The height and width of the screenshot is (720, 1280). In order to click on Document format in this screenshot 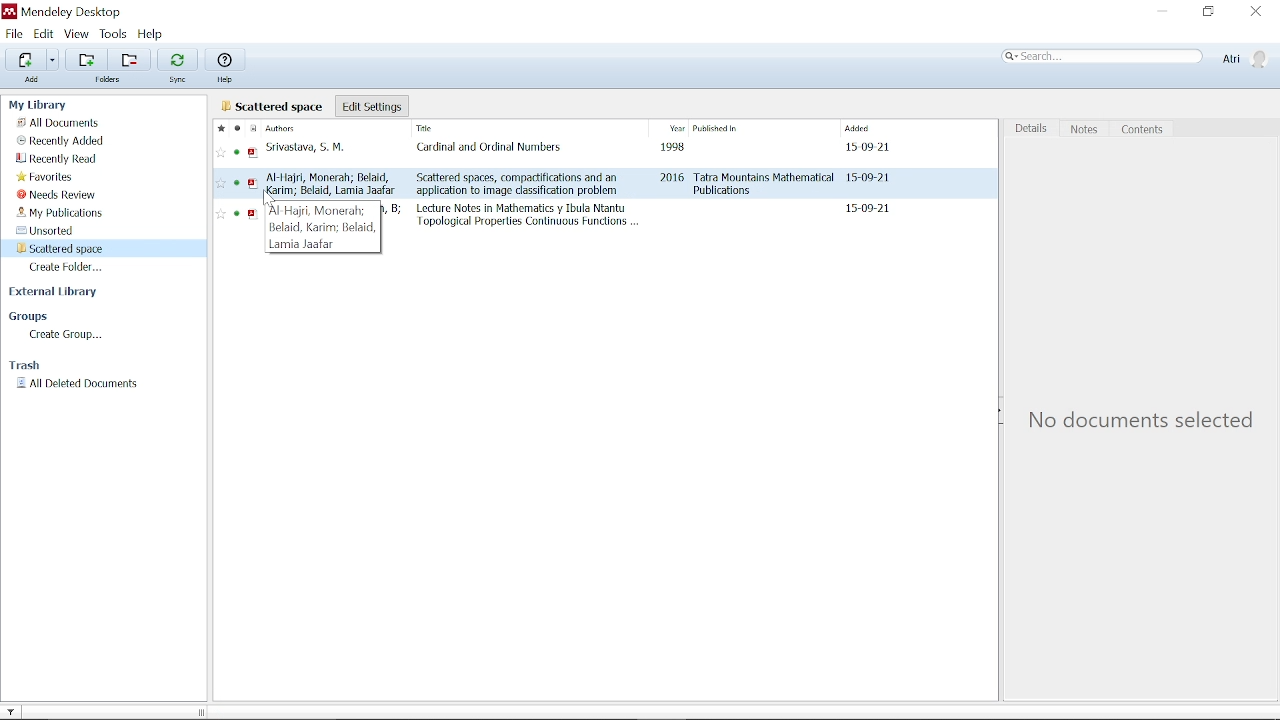, I will do `click(252, 128)`.